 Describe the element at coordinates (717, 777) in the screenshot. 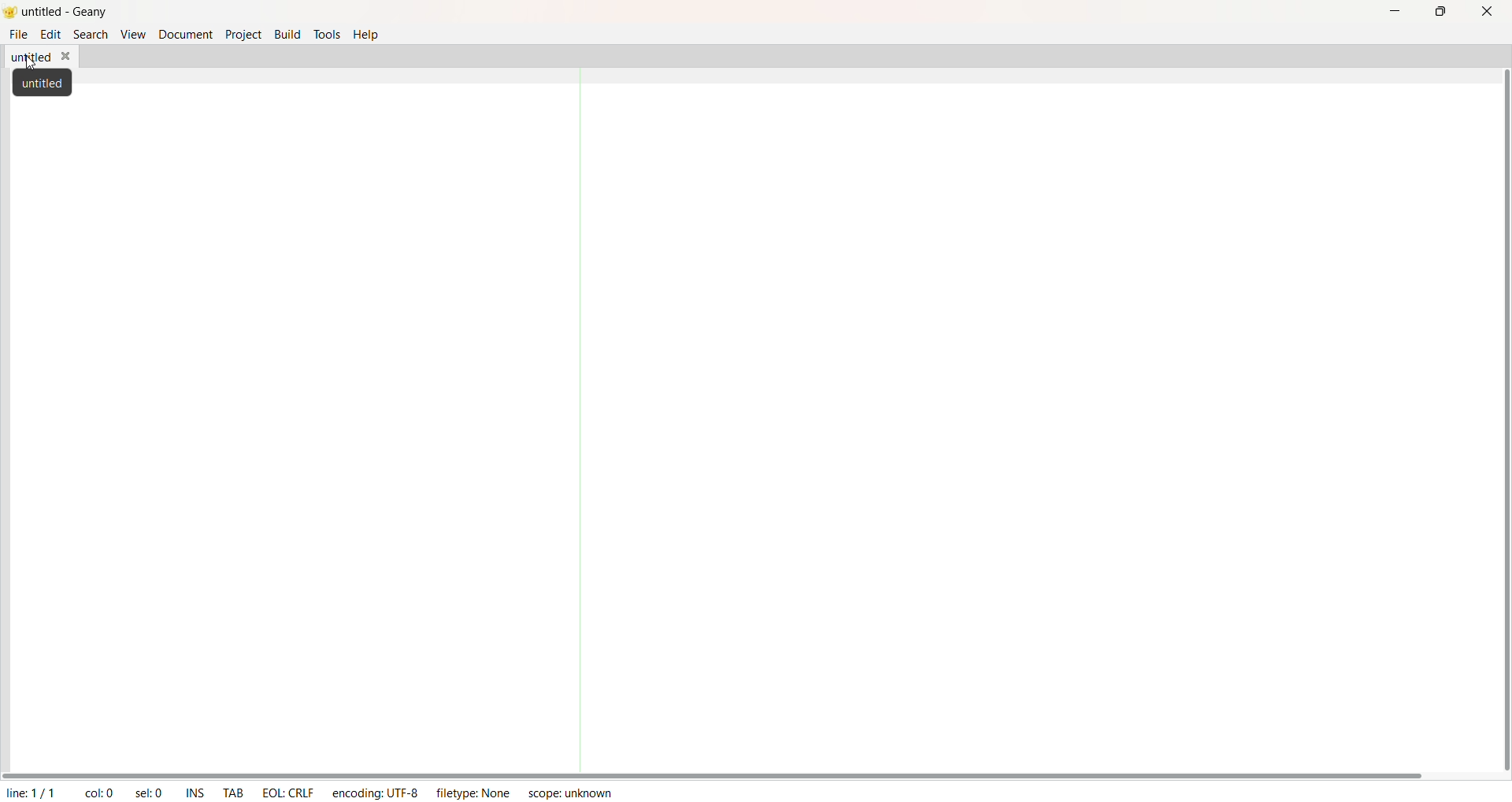

I see `scroll bar` at that location.